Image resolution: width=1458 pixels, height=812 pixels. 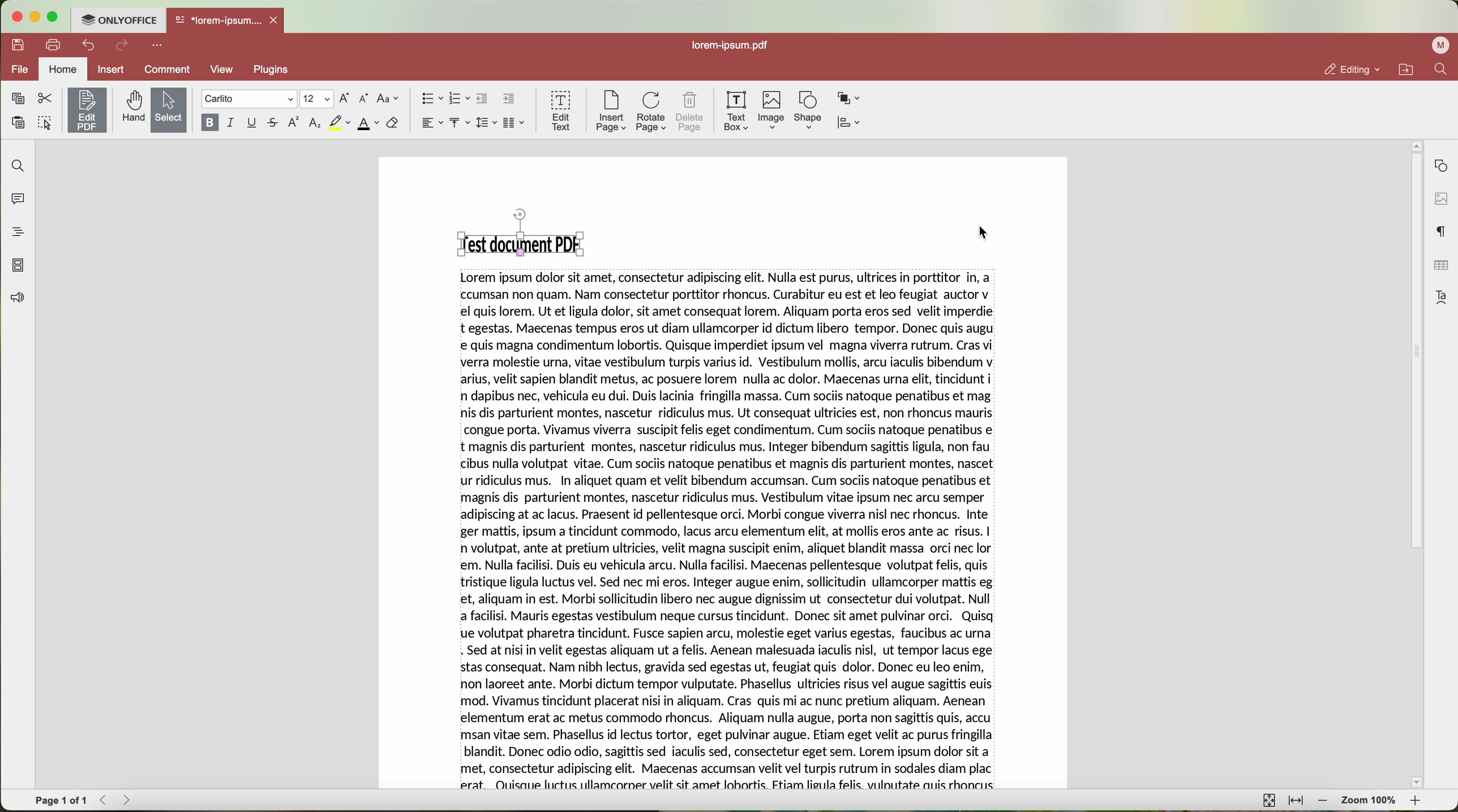 I want to click on Insert, so click(x=111, y=69).